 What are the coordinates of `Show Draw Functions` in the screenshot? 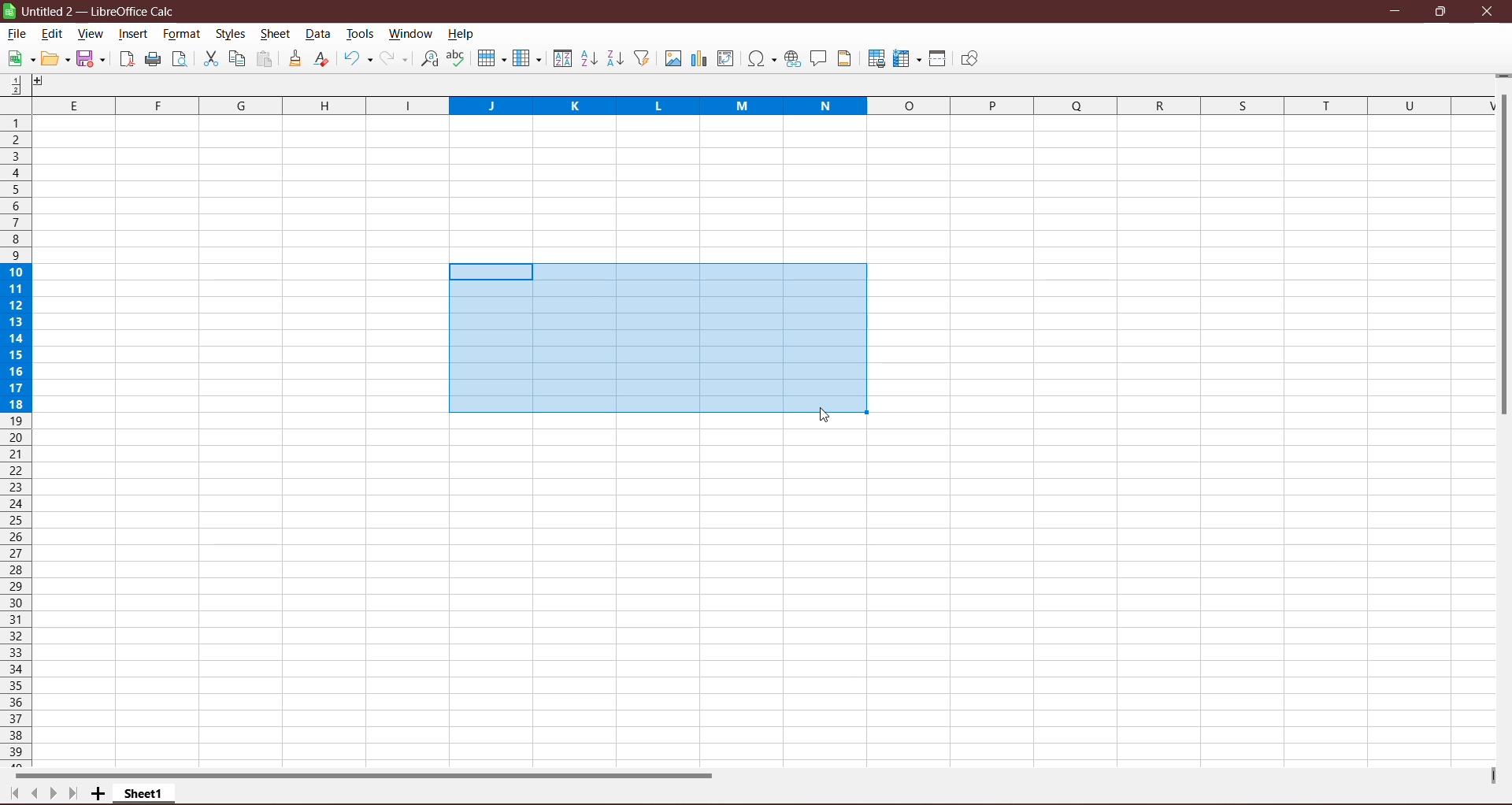 It's located at (969, 59).